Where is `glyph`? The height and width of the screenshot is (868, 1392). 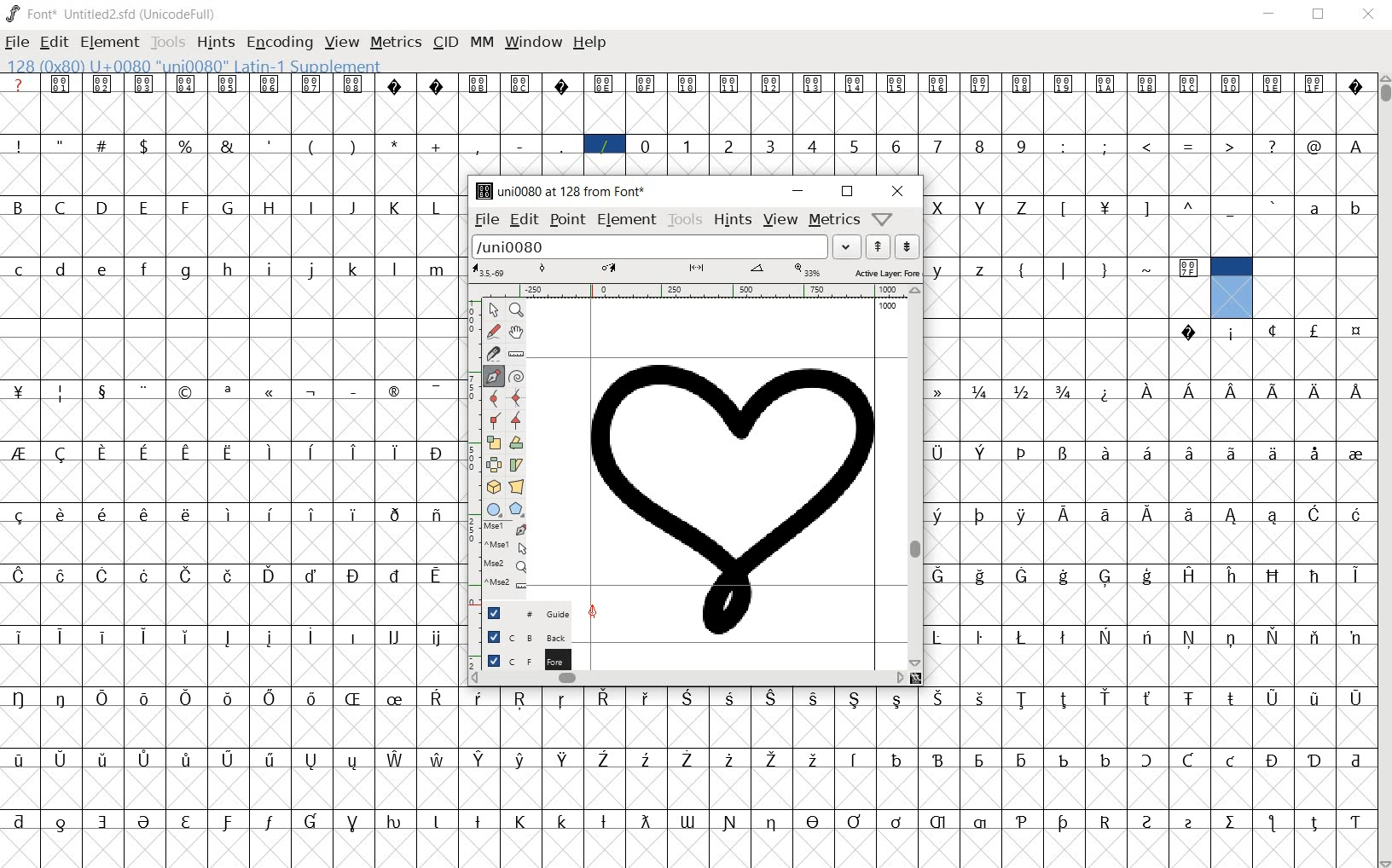 glyph is located at coordinates (1022, 391).